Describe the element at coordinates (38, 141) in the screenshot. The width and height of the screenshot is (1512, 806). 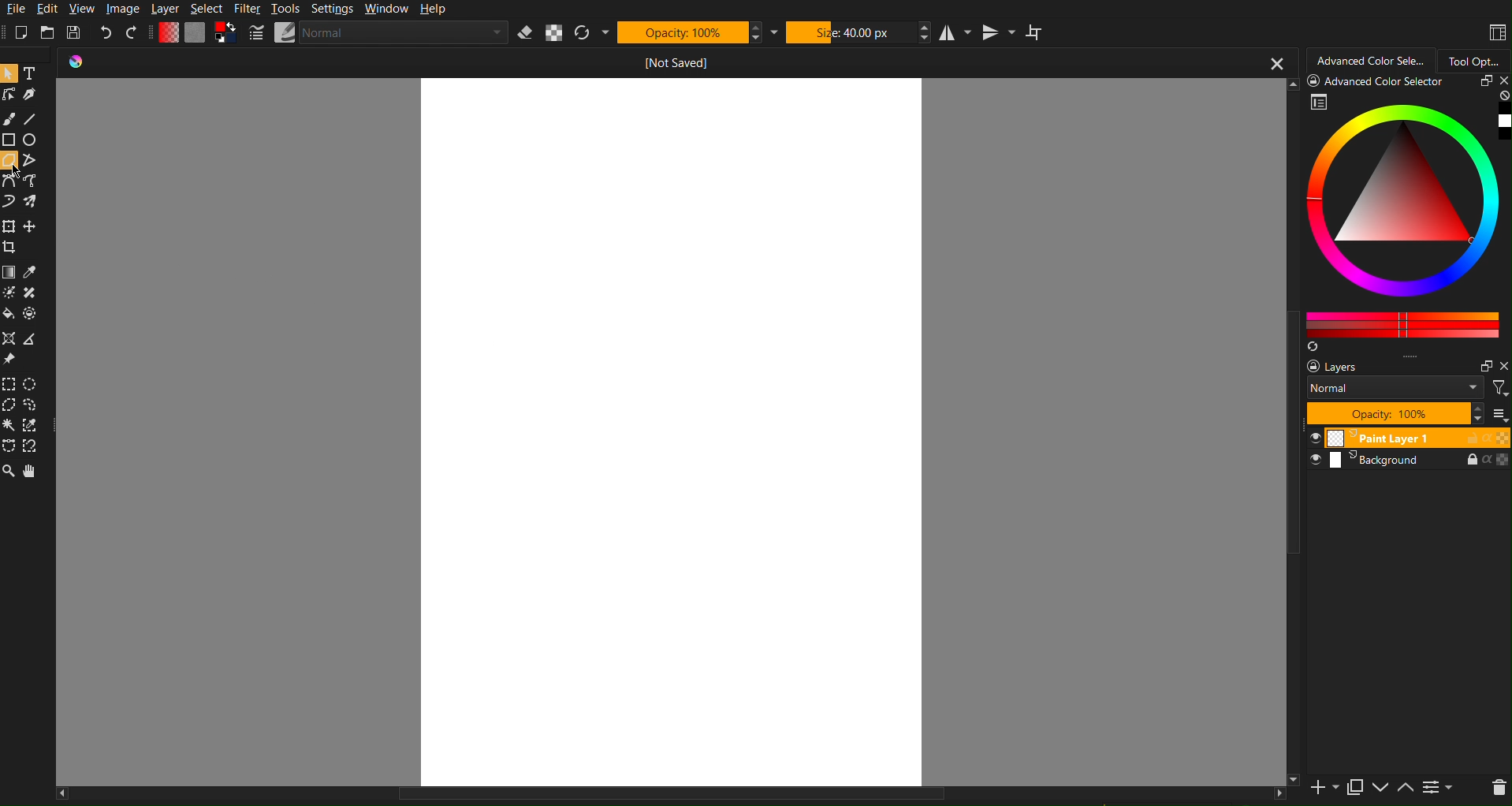
I see `ellipse tool` at that location.